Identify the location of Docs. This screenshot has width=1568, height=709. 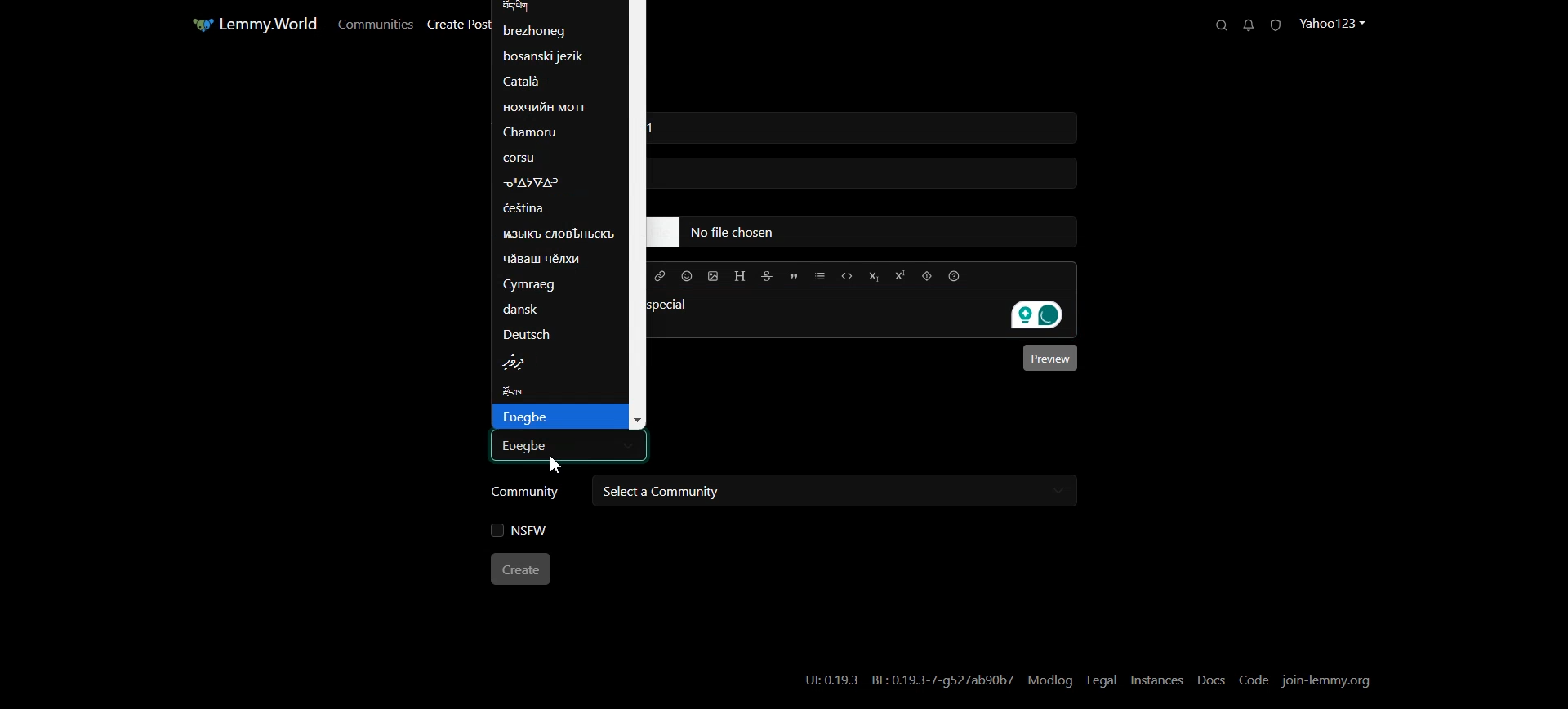
(1211, 680).